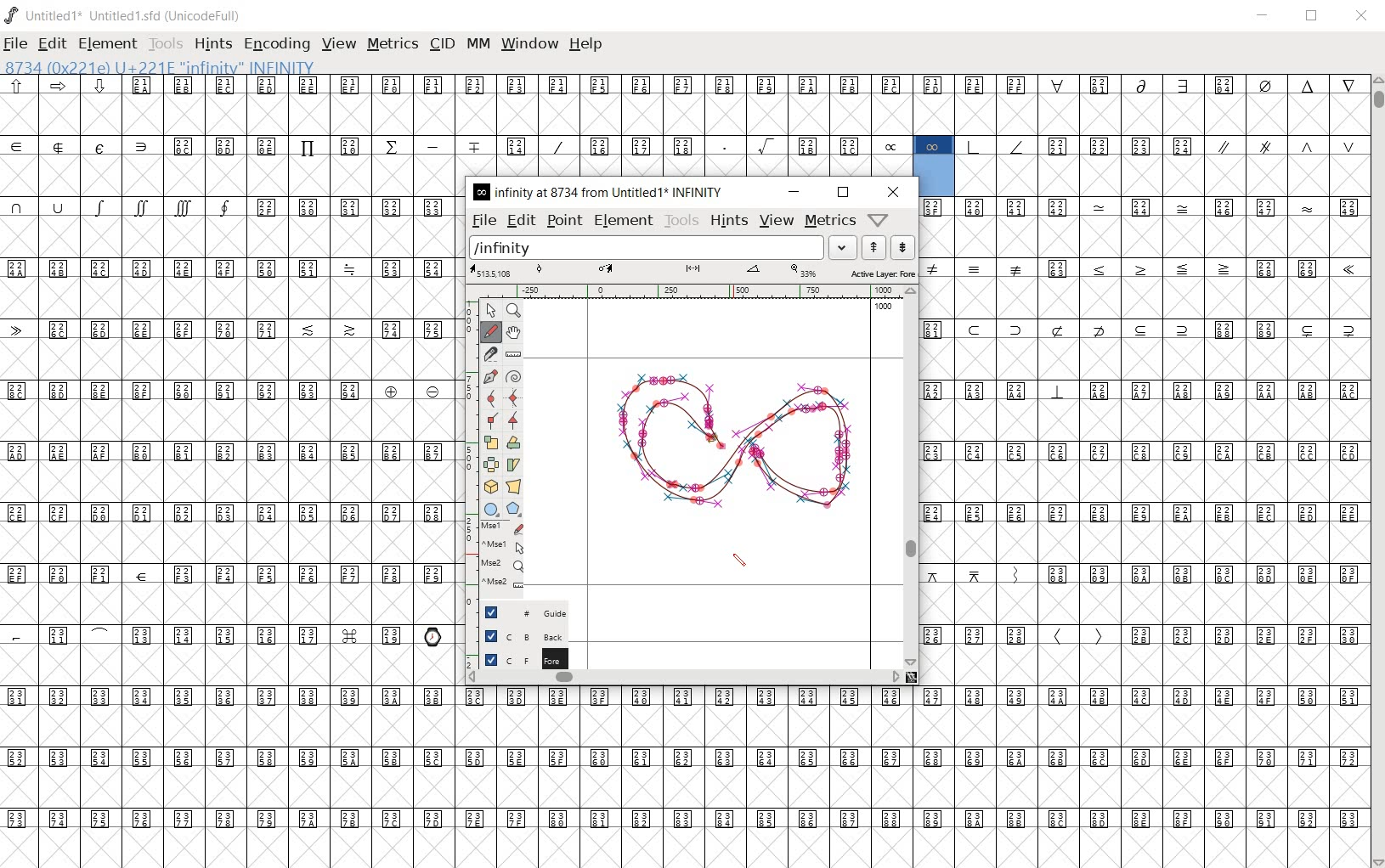  What do you see at coordinates (691, 848) in the screenshot?
I see `edited glyph` at bounding box center [691, 848].